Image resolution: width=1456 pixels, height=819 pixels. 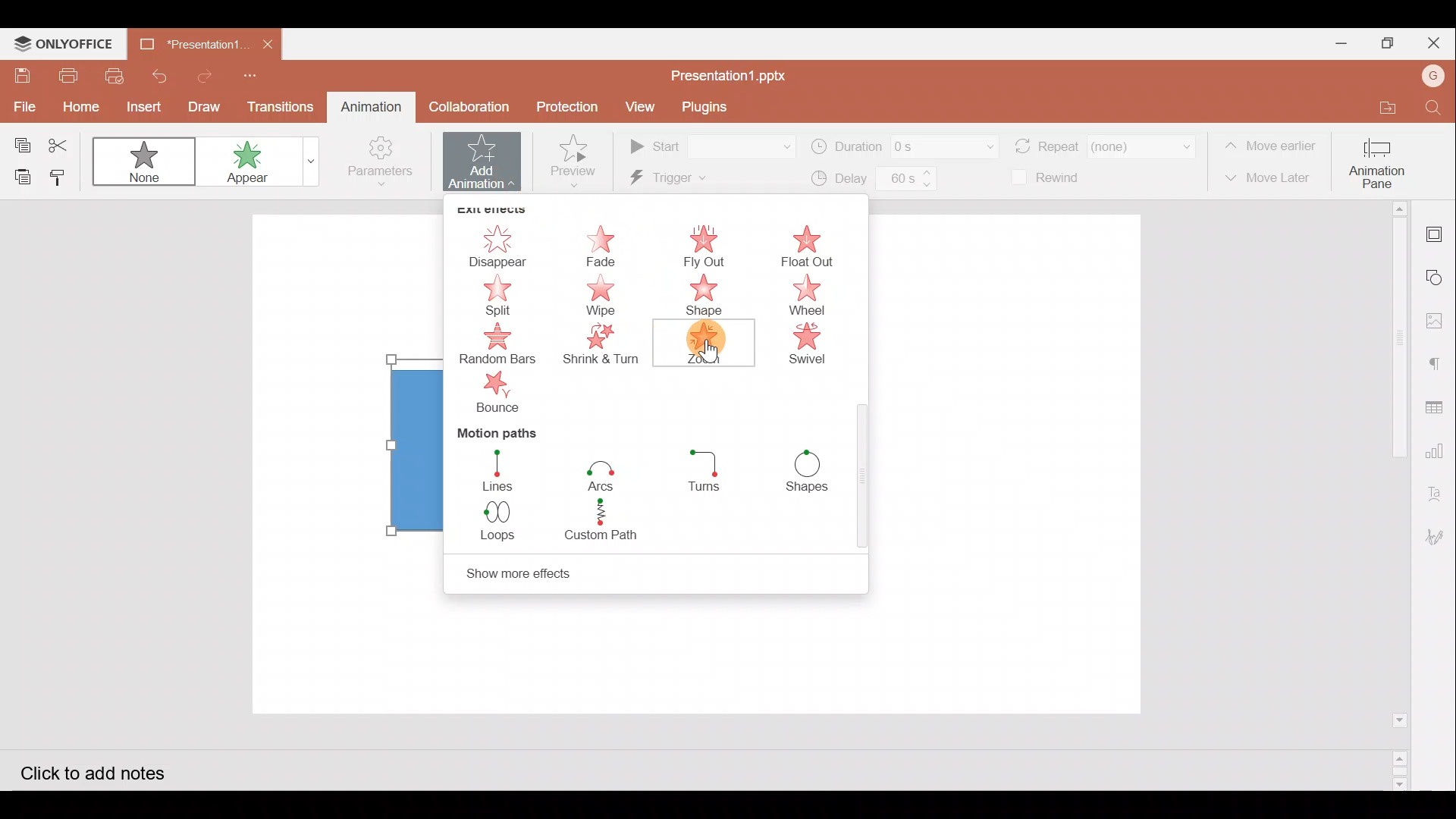 I want to click on Presentation1.pptx, so click(x=731, y=74).